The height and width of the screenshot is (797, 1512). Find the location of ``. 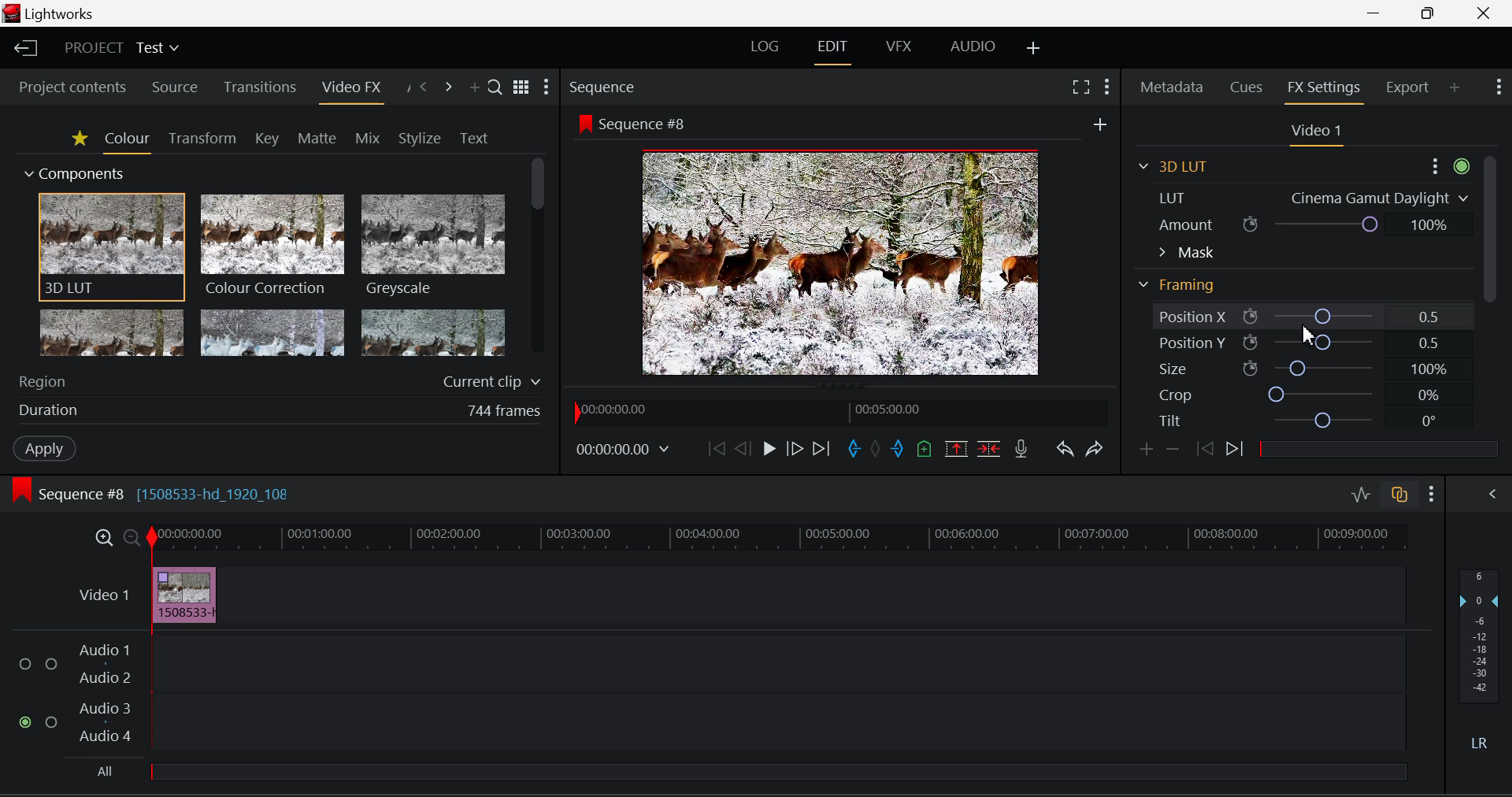

 is located at coordinates (1099, 124).